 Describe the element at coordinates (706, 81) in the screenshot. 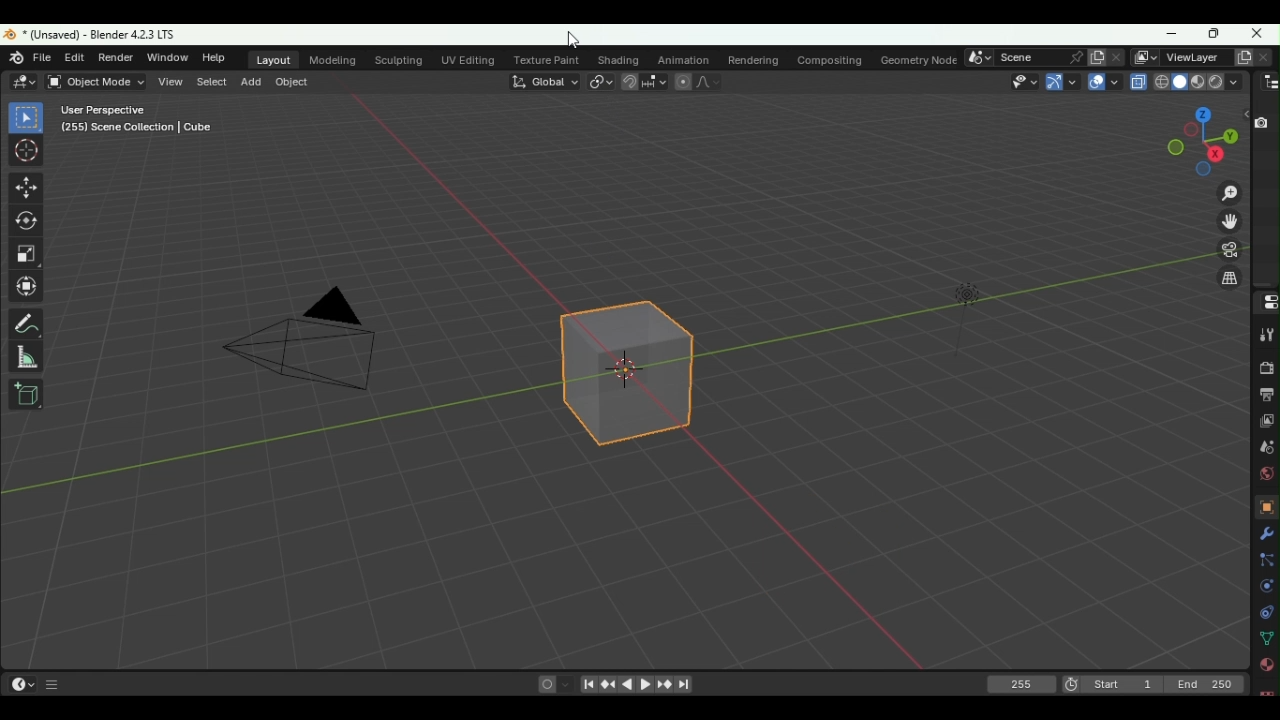

I see `Proportional editing falloff` at that location.